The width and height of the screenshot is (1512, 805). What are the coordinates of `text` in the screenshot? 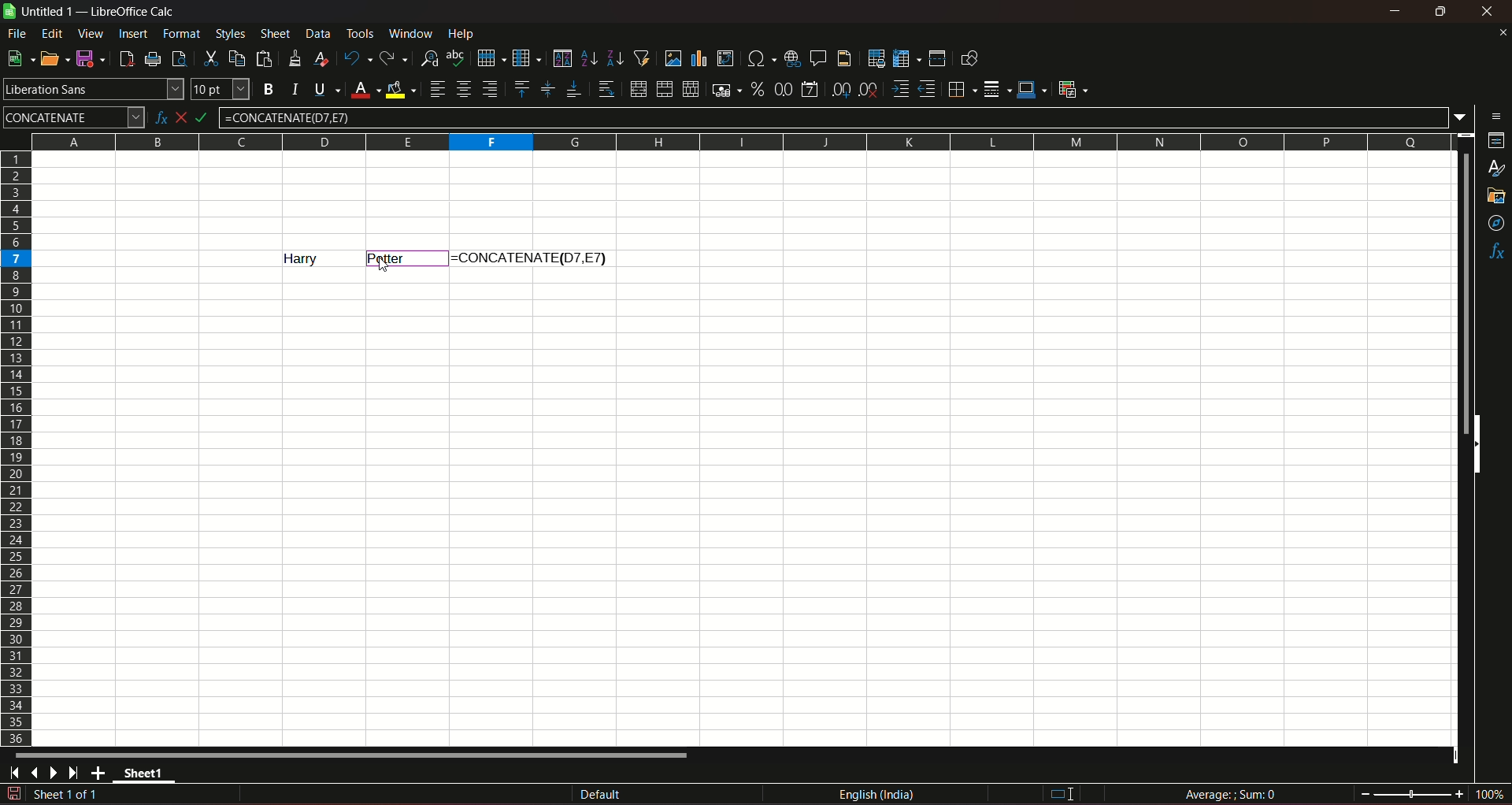 It's located at (388, 258).